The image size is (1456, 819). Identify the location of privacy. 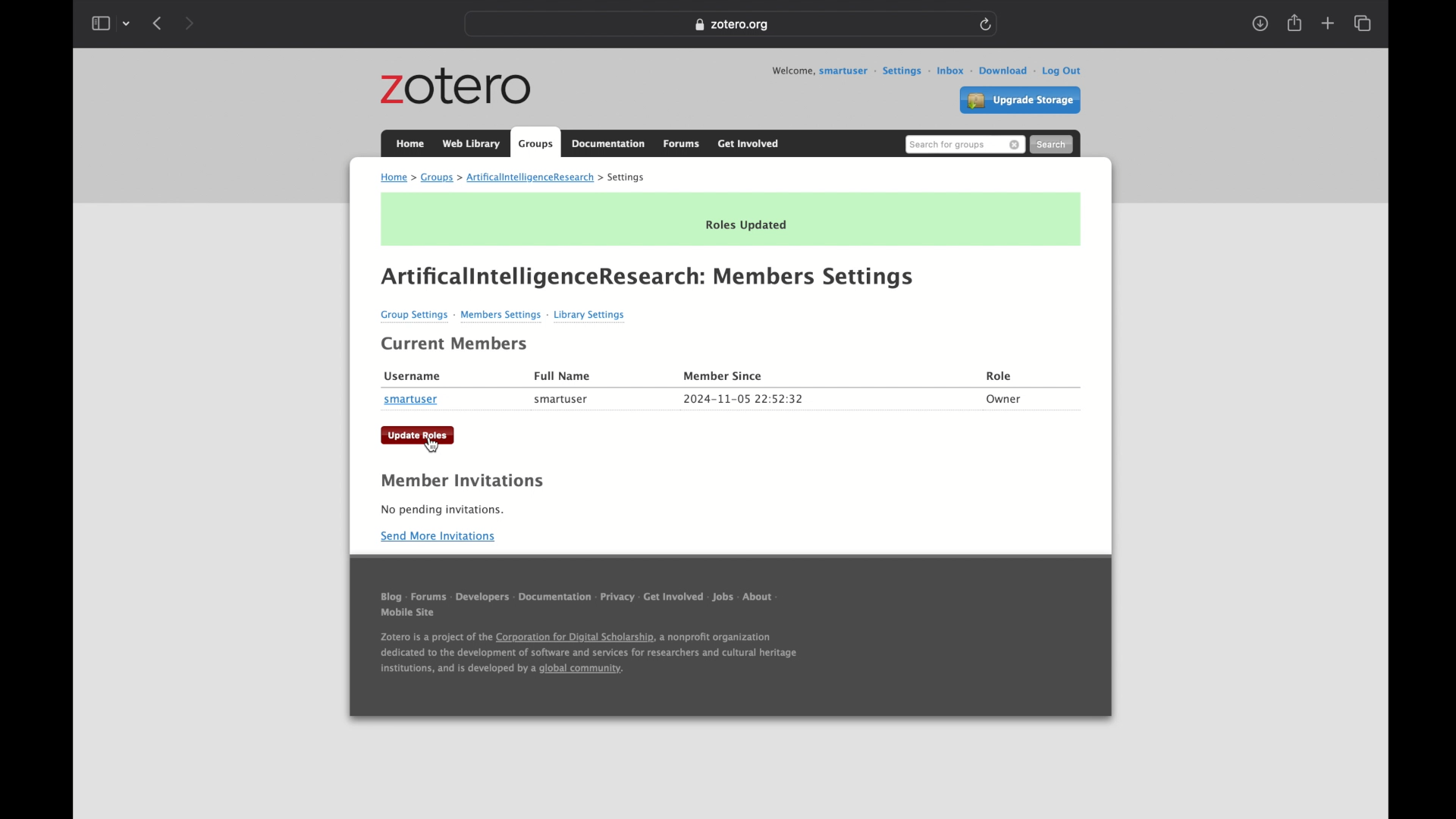
(617, 601).